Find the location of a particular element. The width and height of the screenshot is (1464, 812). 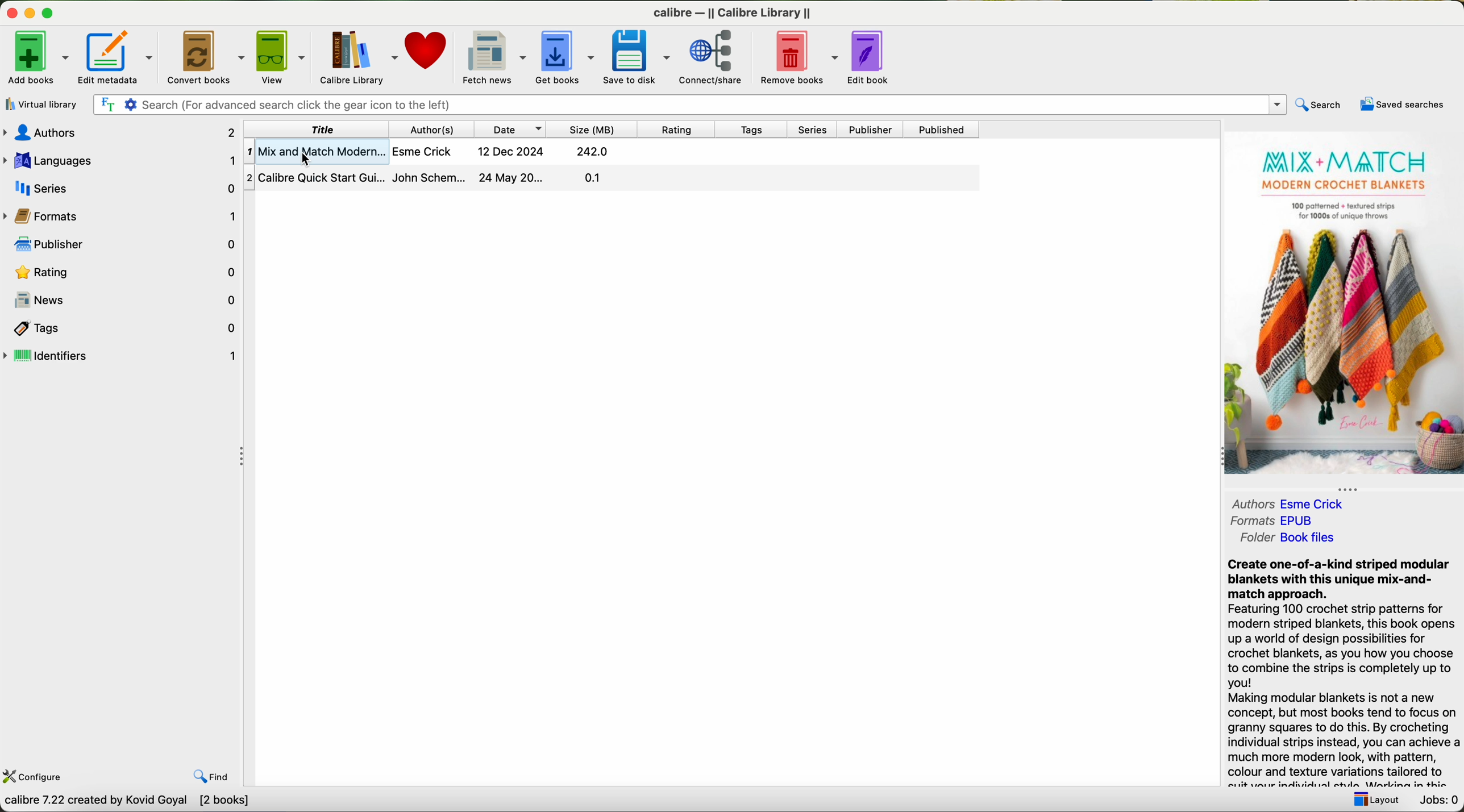

add books is located at coordinates (36, 56).